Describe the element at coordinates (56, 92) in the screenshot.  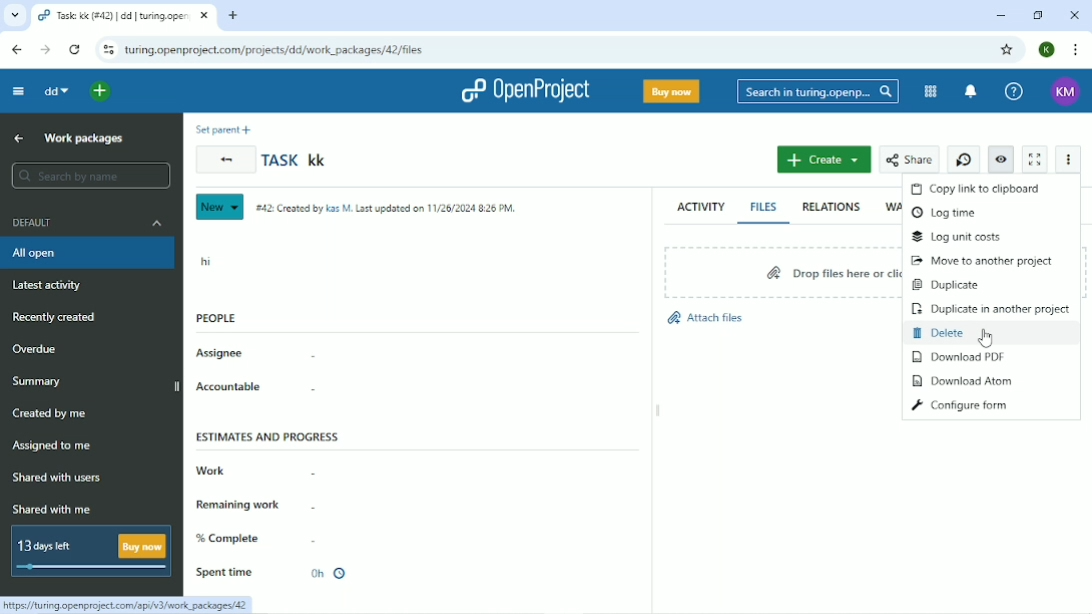
I see `dd` at that location.